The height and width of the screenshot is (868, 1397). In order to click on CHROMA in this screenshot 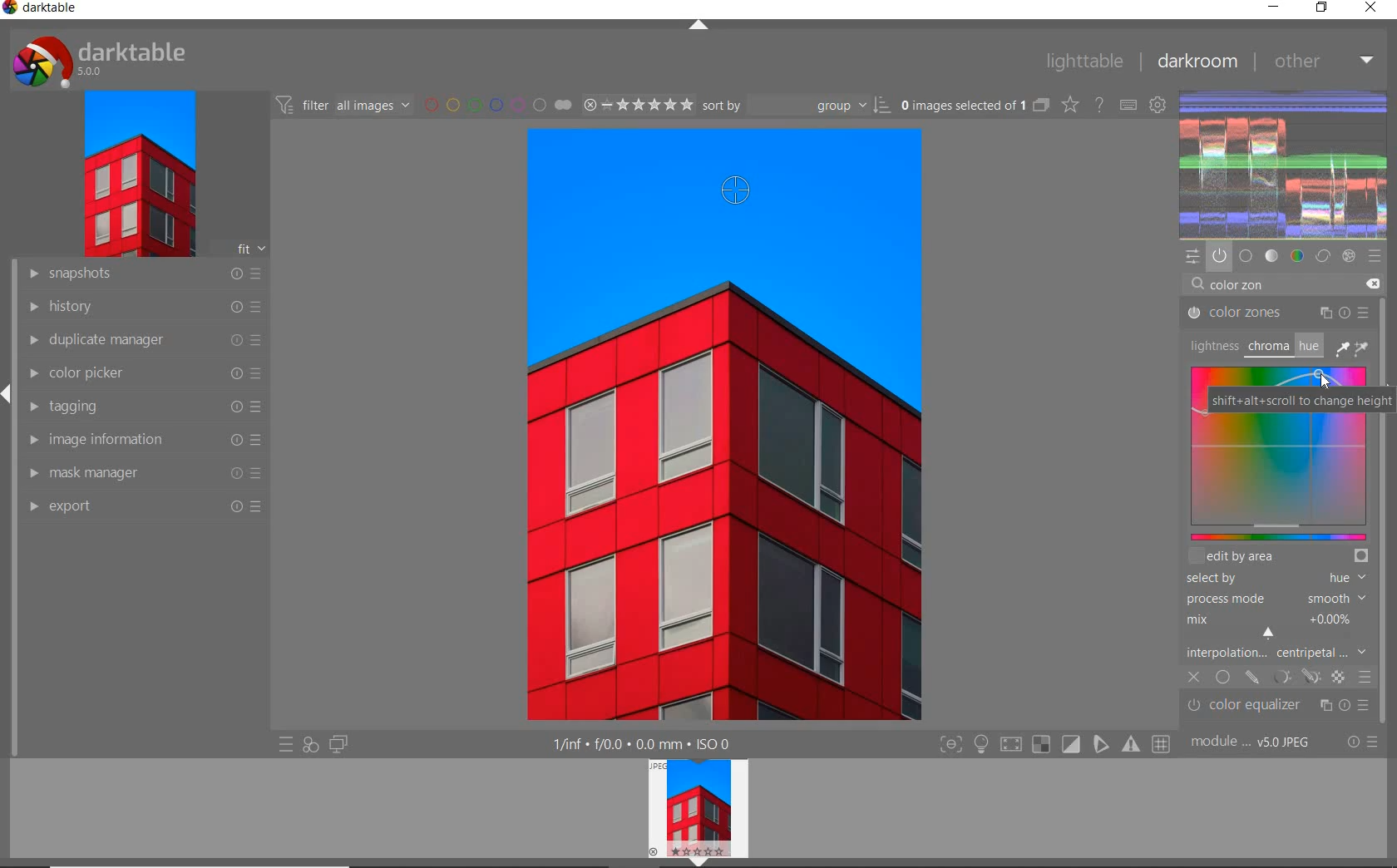, I will do `click(1267, 348)`.